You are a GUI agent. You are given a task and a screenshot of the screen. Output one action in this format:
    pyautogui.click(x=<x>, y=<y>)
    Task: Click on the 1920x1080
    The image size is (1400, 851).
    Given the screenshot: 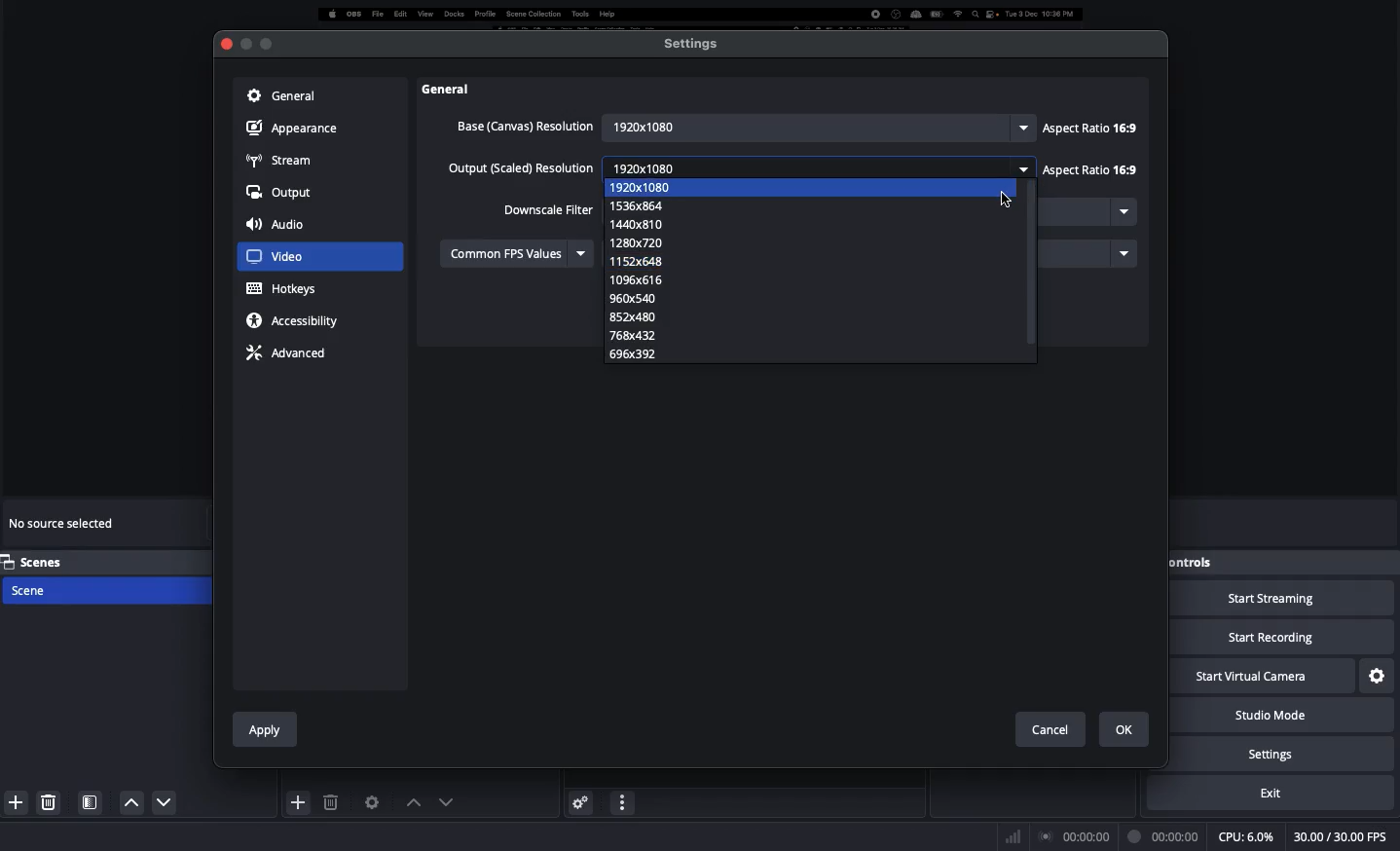 What is the action you would take?
    pyautogui.click(x=817, y=125)
    